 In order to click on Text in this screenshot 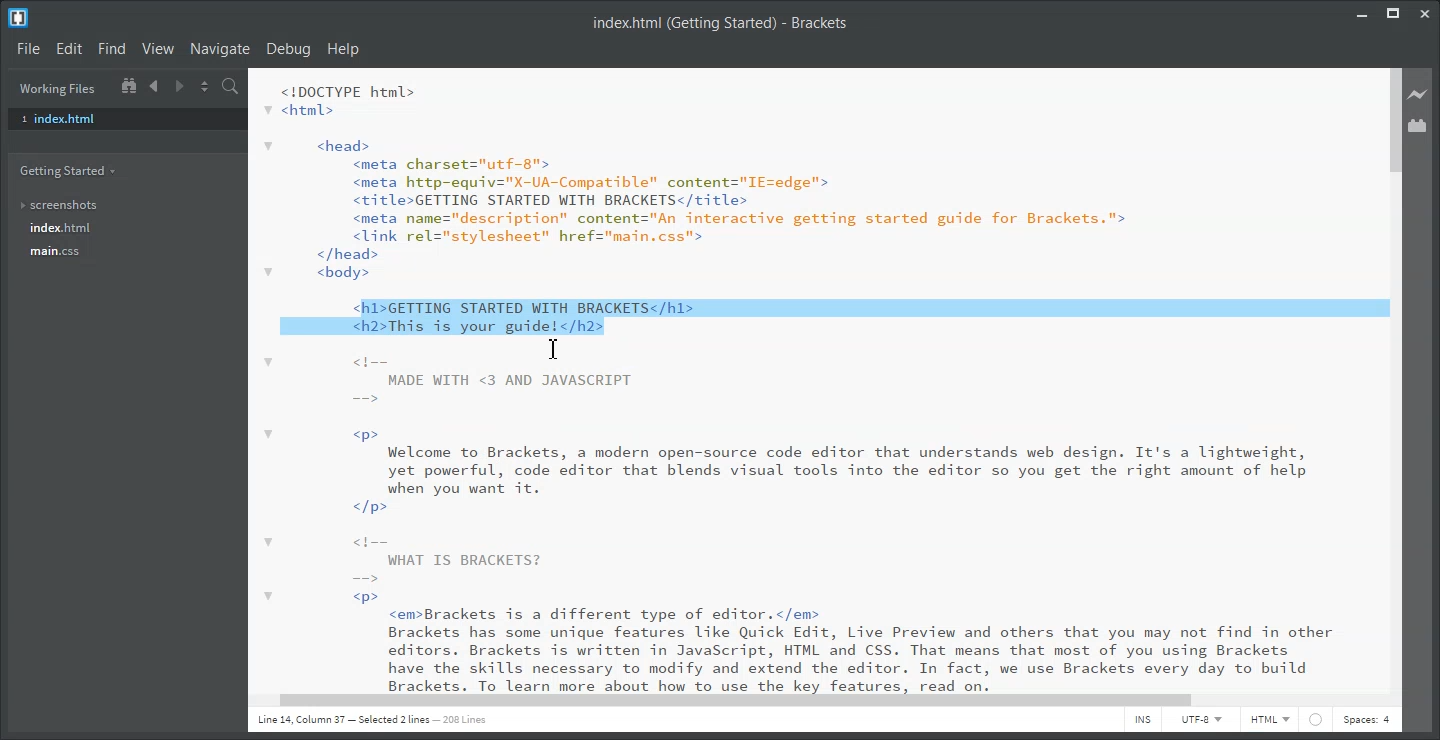, I will do `click(722, 24)`.